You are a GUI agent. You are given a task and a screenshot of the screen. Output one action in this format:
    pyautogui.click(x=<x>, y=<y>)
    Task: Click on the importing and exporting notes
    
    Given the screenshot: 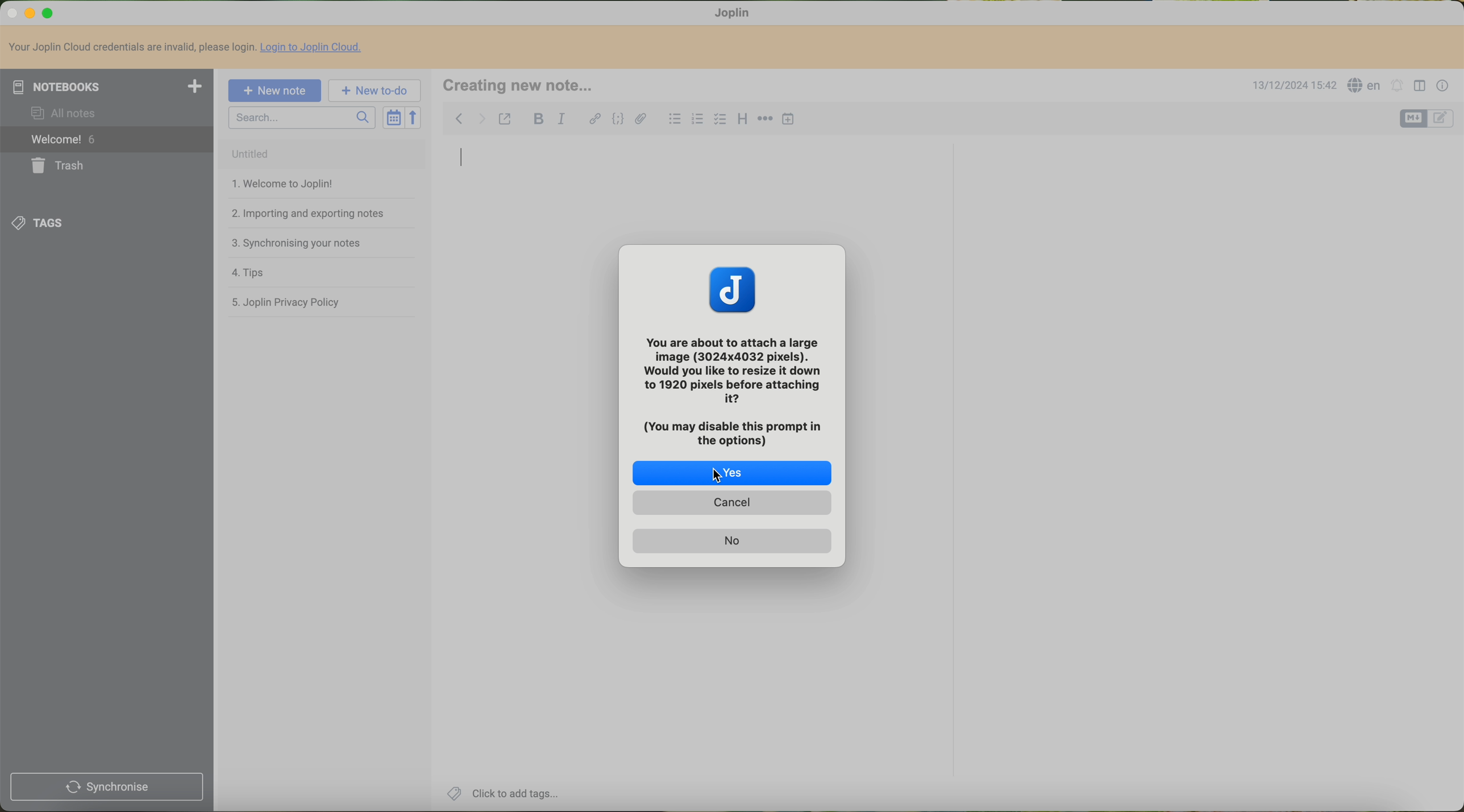 What is the action you would take?
    pyautogui.click(x=306, y=213)
    